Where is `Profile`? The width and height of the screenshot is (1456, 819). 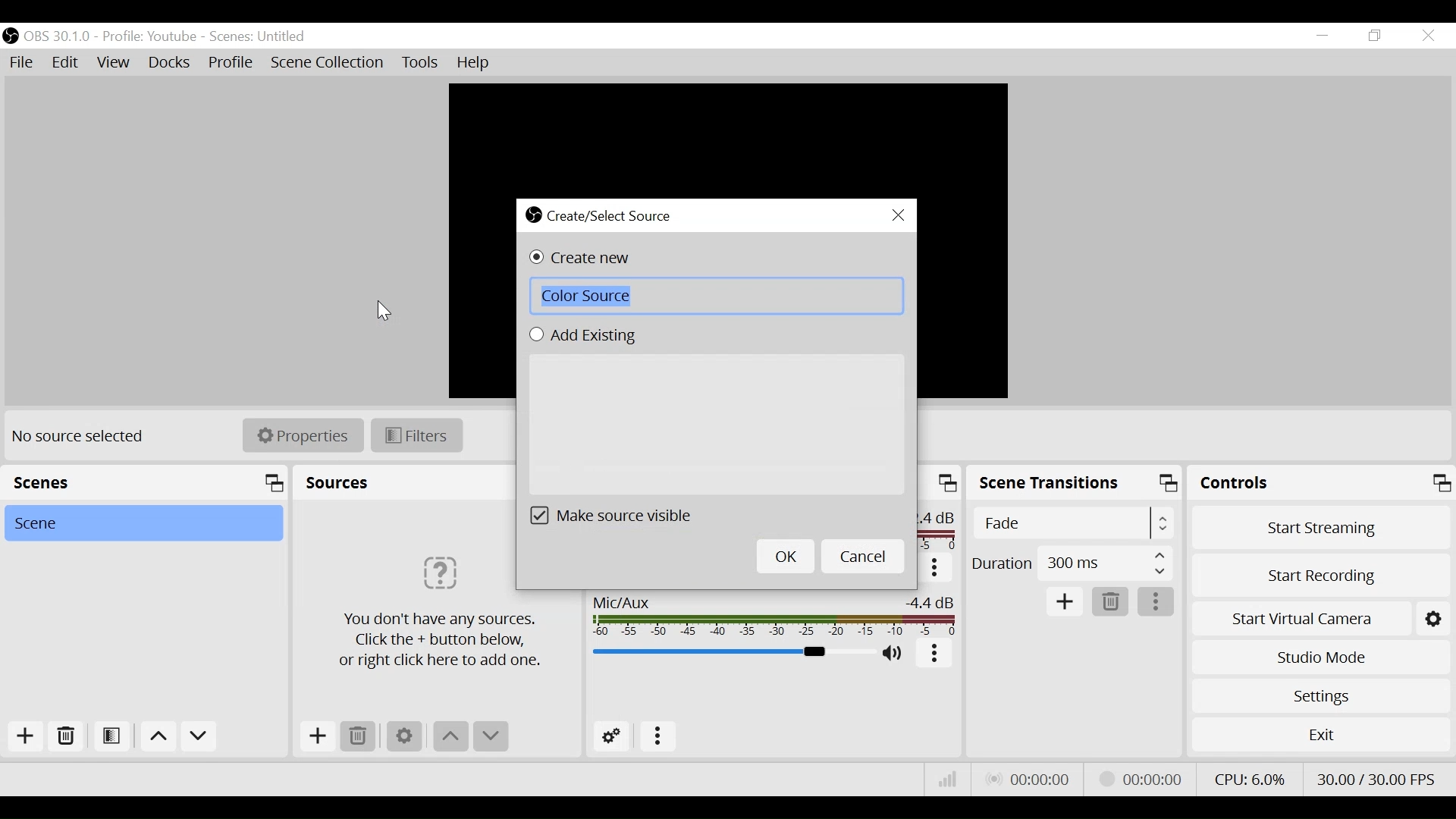 Profile is located at coordinates (149, 36).